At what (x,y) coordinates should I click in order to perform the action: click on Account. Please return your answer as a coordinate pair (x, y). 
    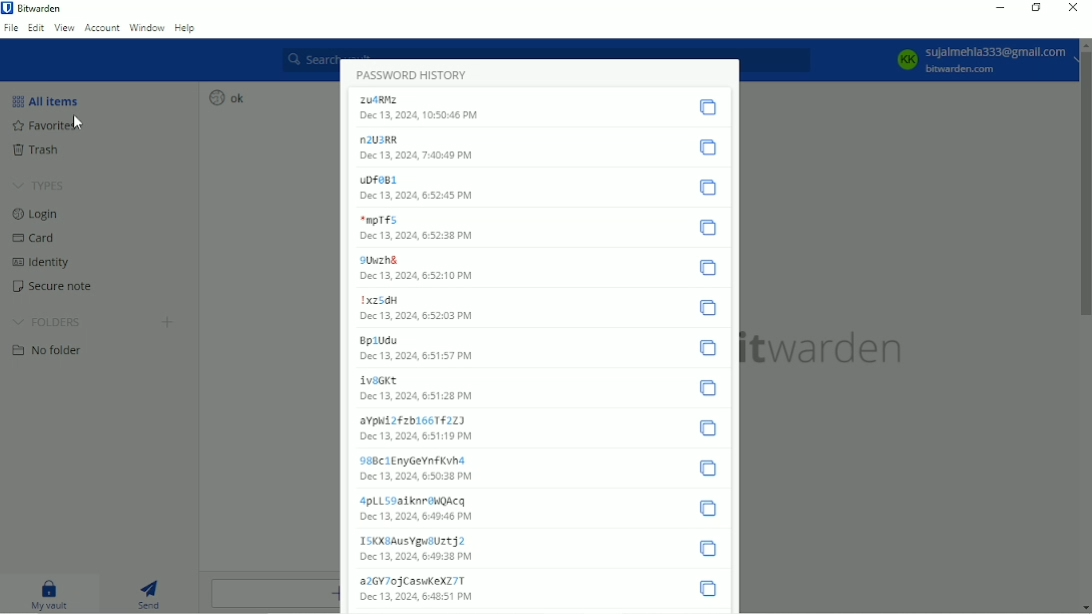
    Looking at the image, I should click on (102, 29).